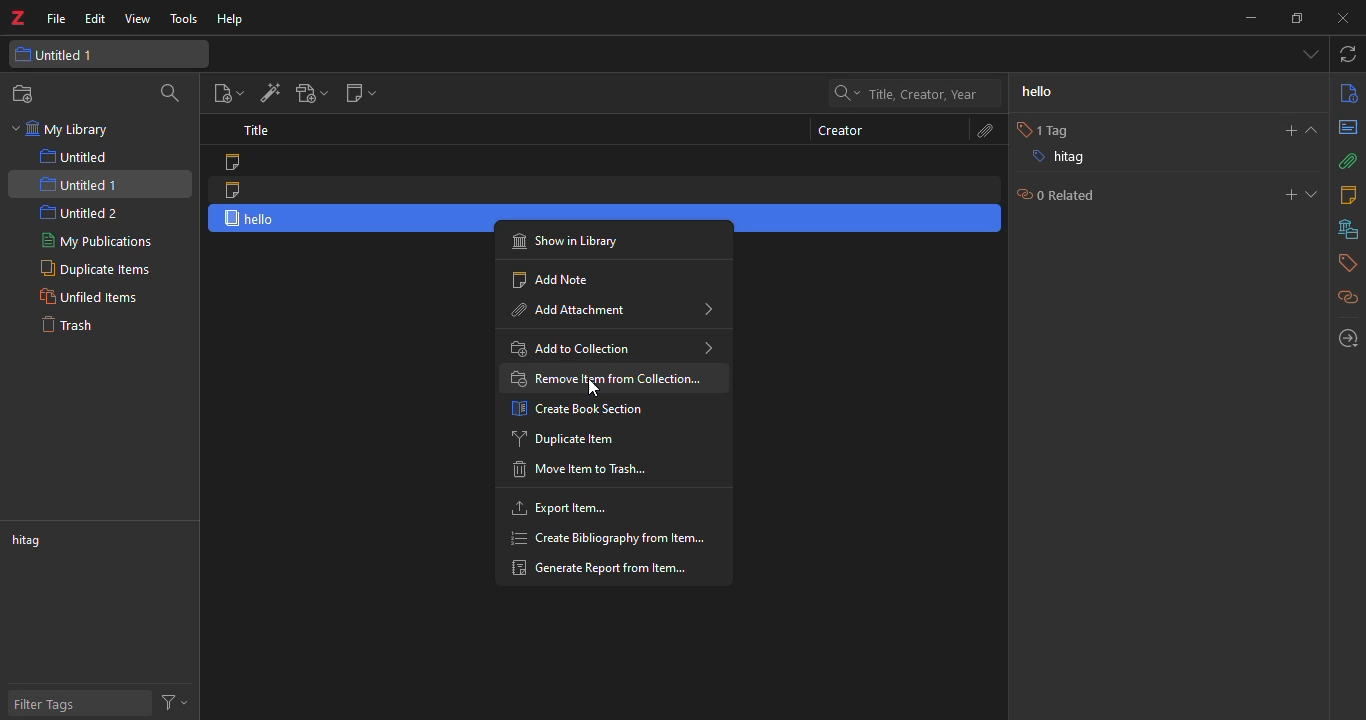 The width and height of the screenshot is (1366, 720). Describe the element at coordinates (1038, 131) in the screenshot. I see `1 tag` at that location.